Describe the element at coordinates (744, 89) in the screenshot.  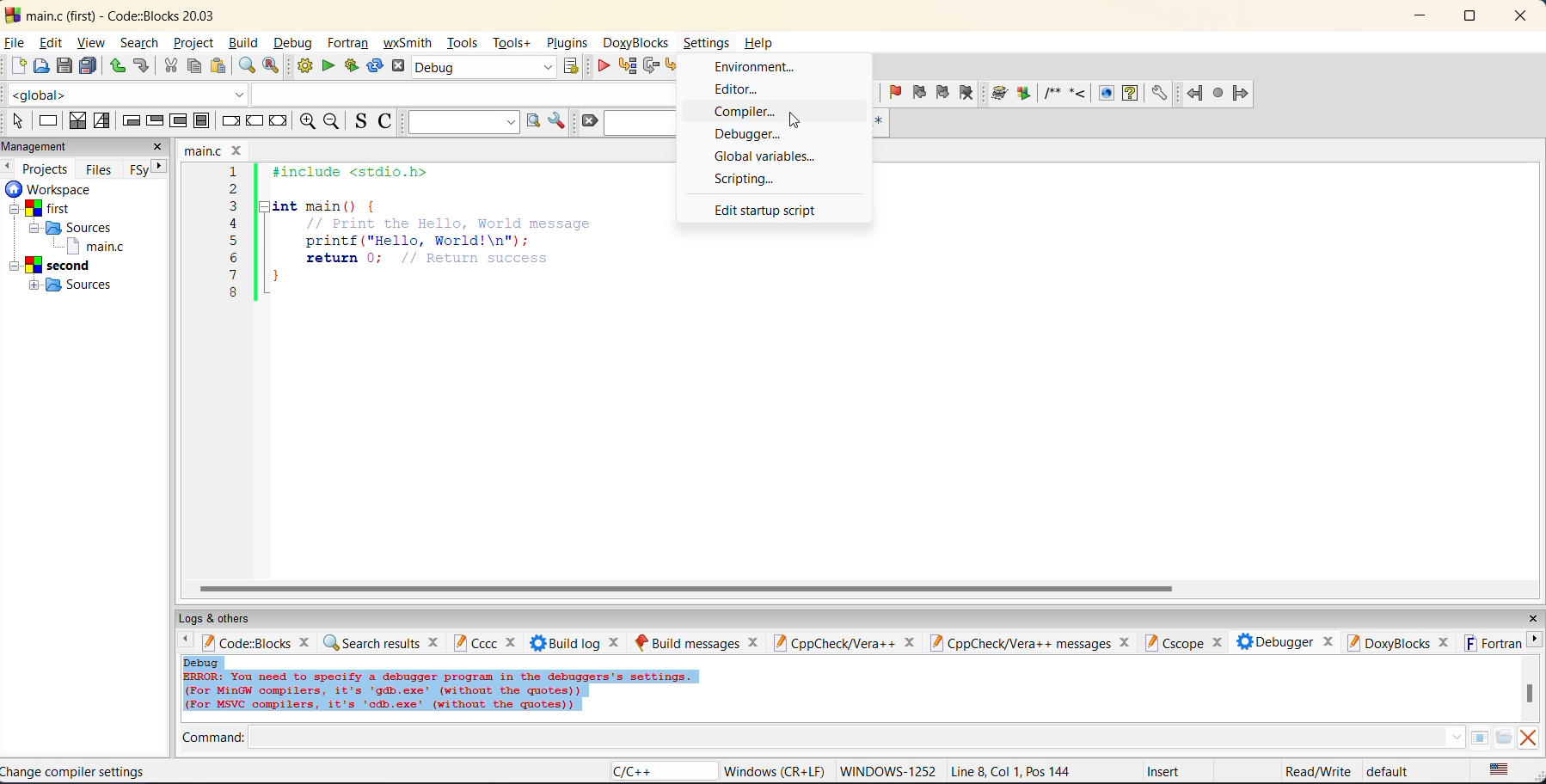
I see `editor` at that location.